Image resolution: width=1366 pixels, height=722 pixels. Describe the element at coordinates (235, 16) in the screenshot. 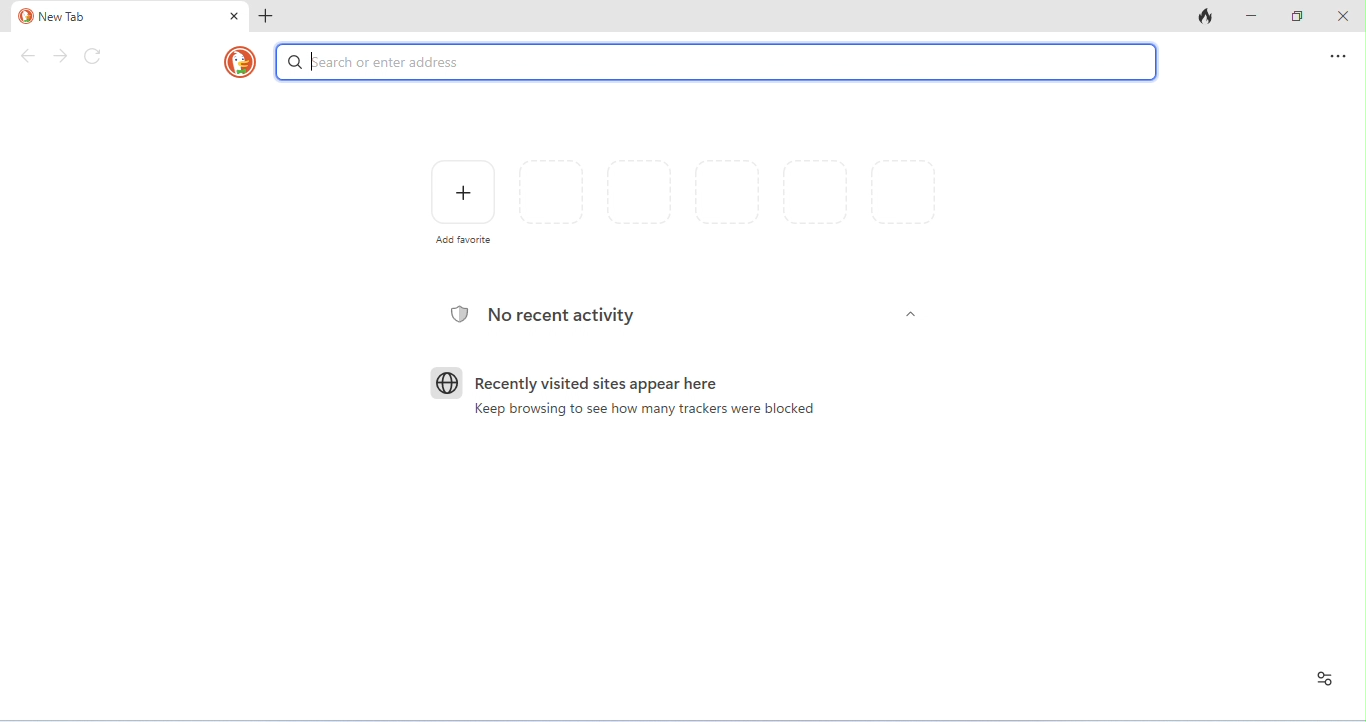

I see `close` at that location.